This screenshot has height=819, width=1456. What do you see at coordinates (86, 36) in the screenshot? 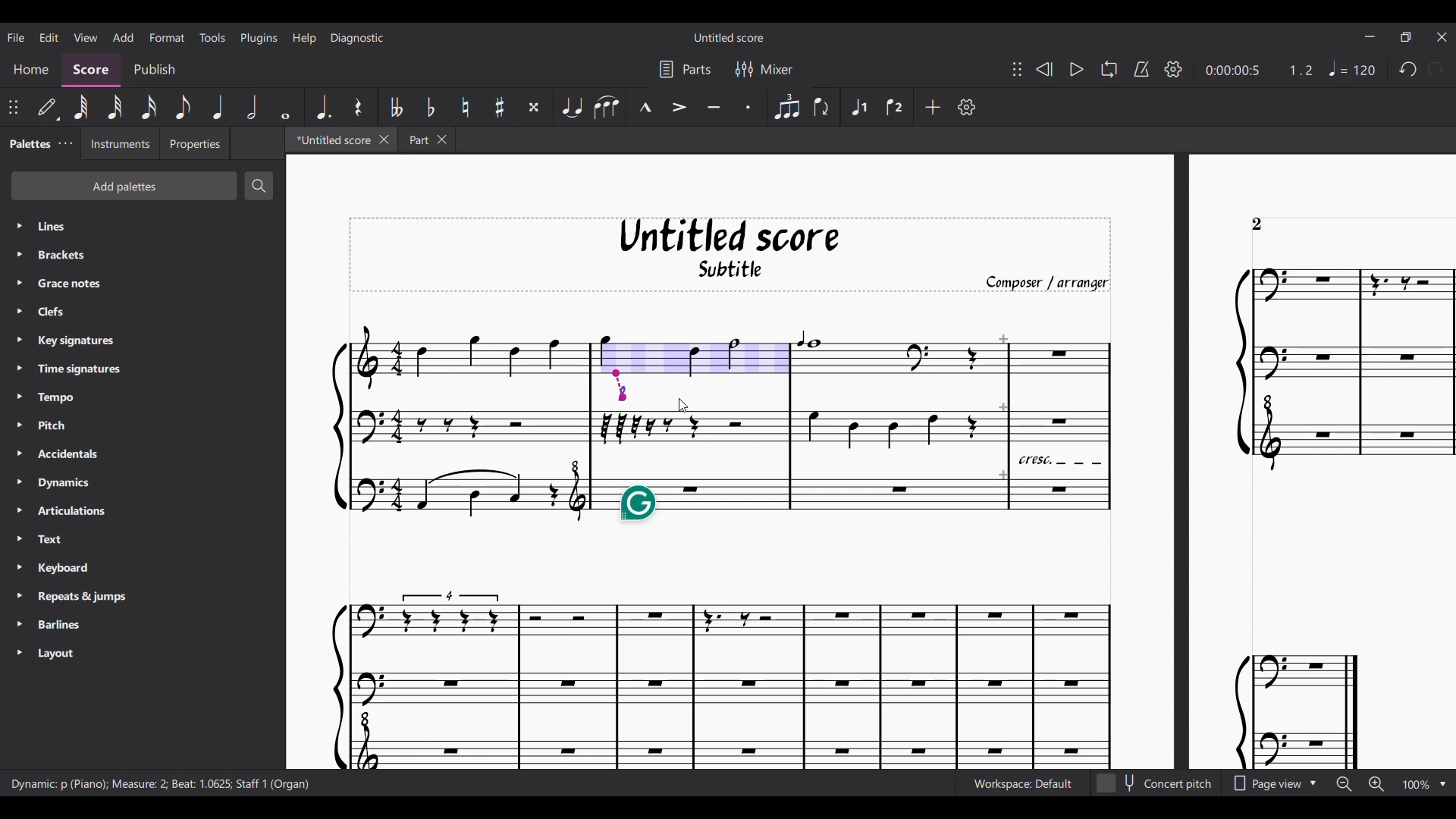
I see `View menu` at bounding box center [86, 36].